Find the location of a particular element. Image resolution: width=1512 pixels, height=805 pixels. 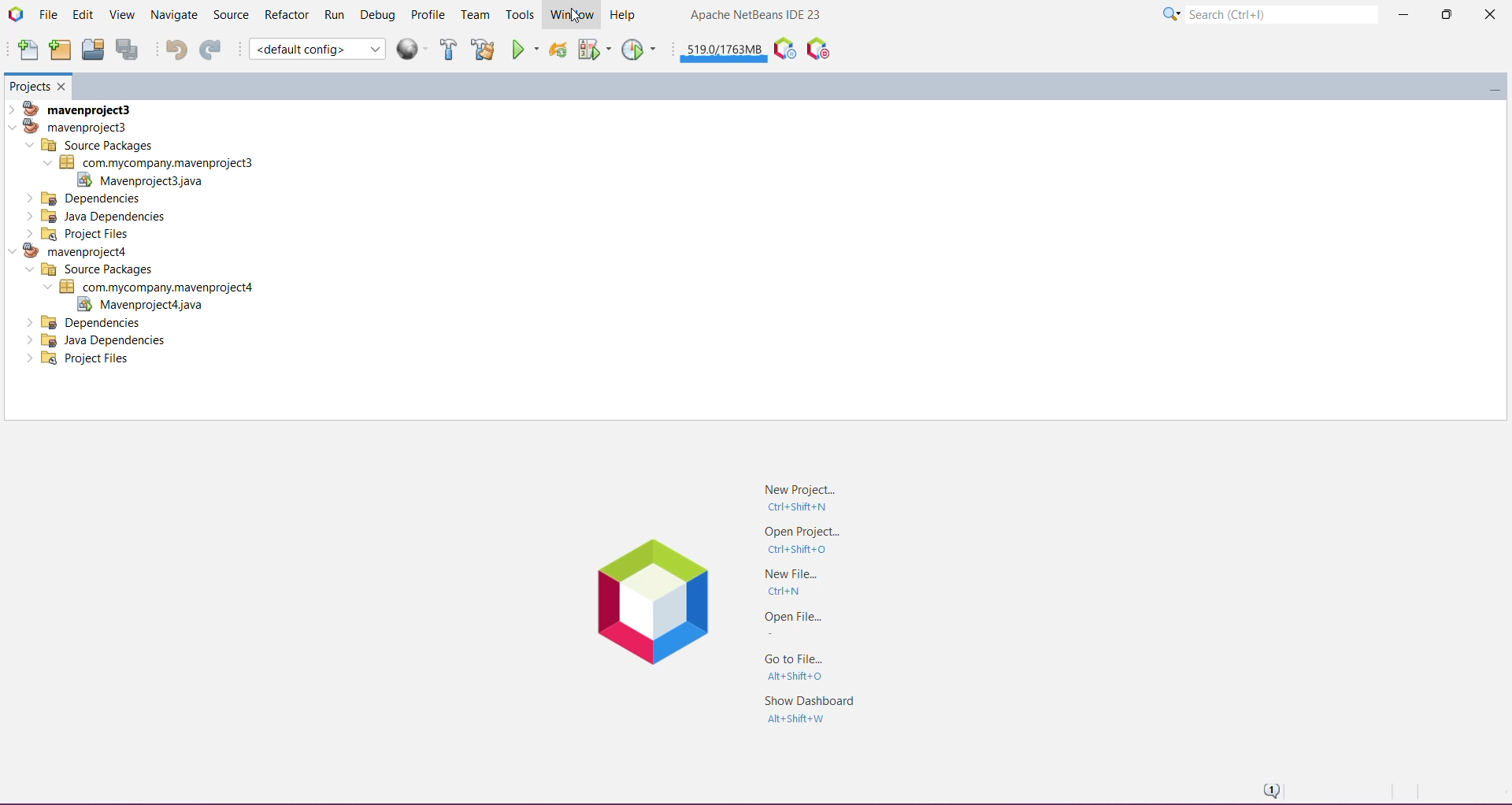

com.mycompany.mavenproject3 is located at coordinates (148, 162).